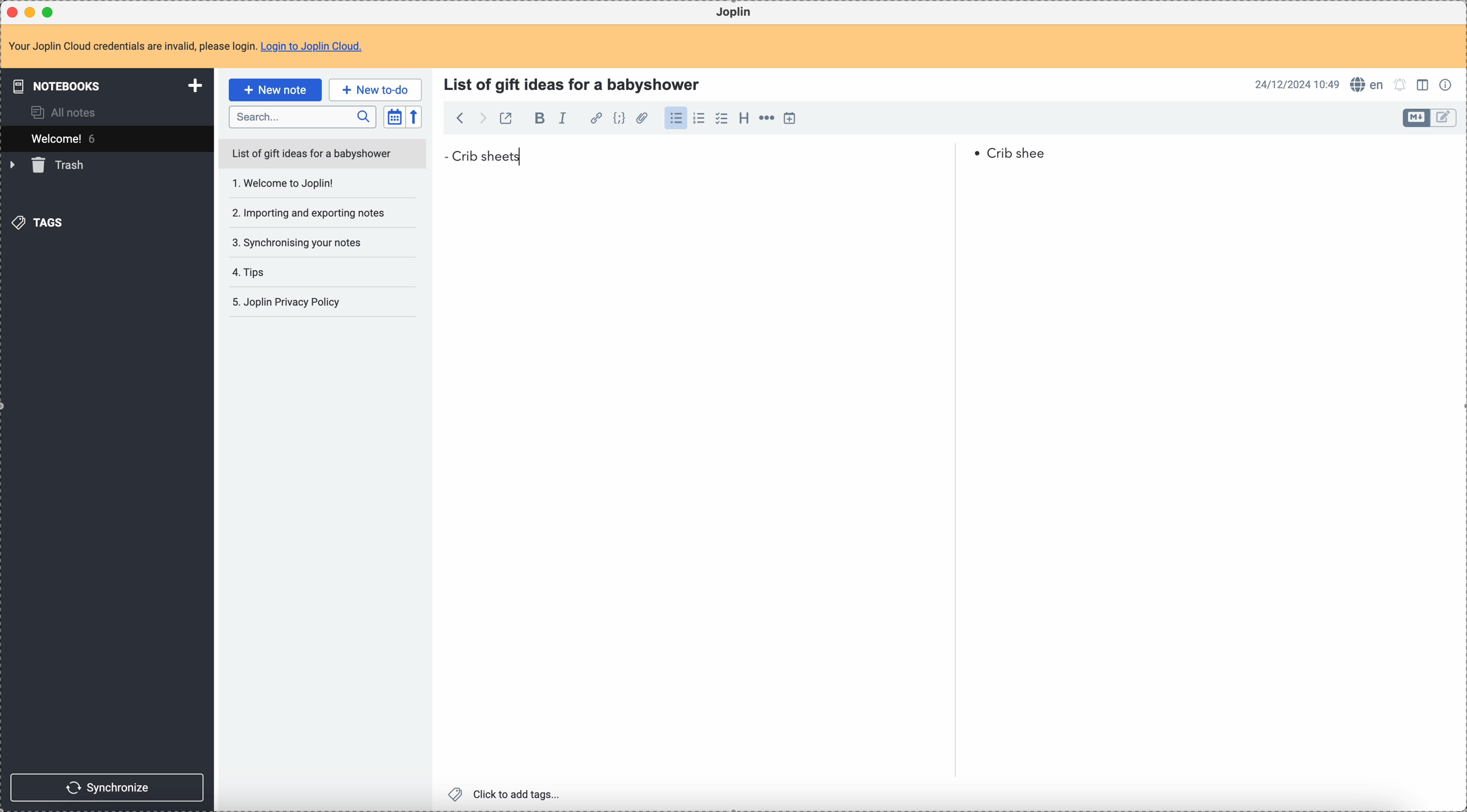  What do you see at coordinates (413, 118) in the screenshot?
I see `reverse sort order` at bounding box center [413, 118].